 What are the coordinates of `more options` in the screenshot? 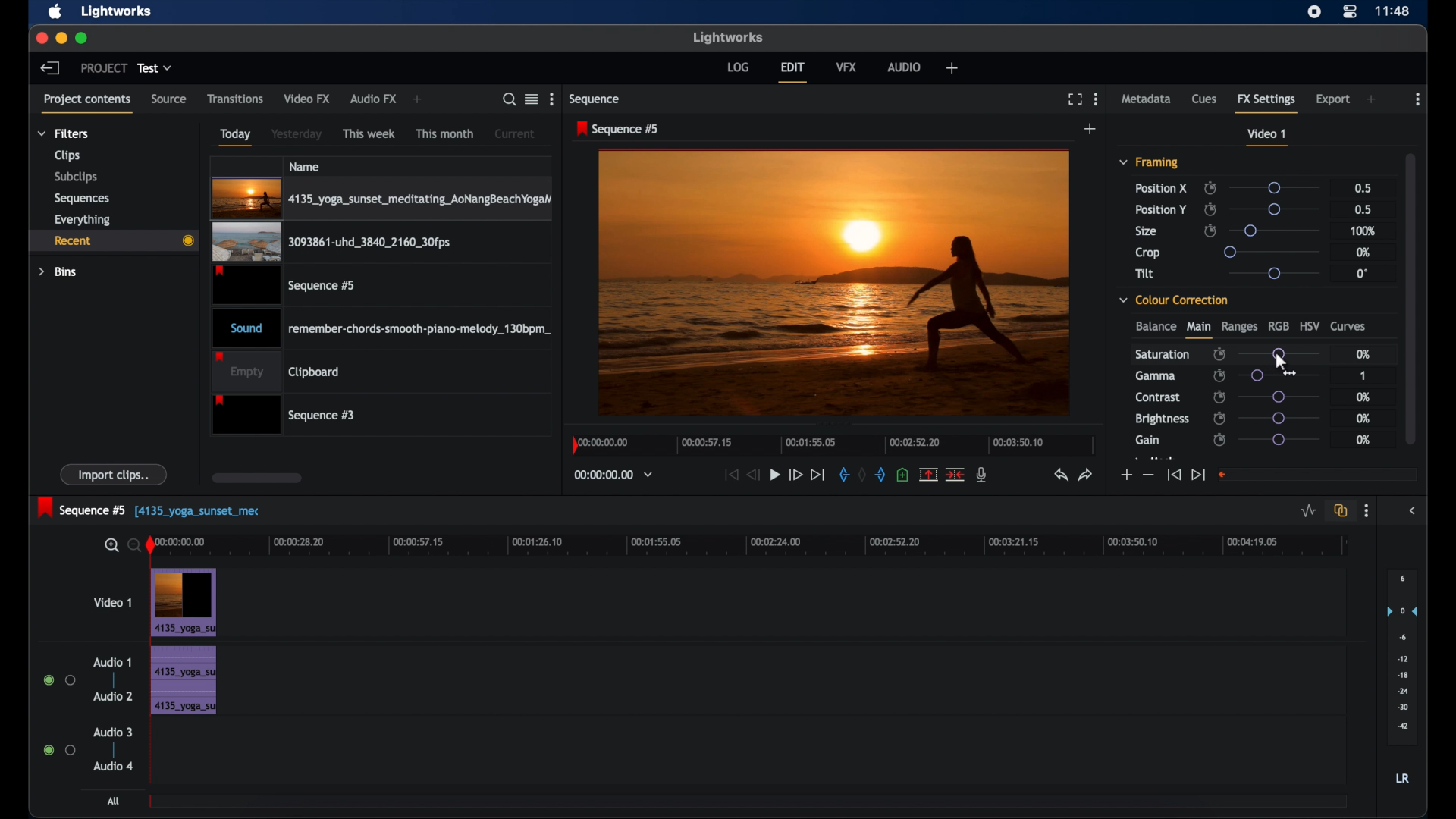 It's located at (1418, 99).